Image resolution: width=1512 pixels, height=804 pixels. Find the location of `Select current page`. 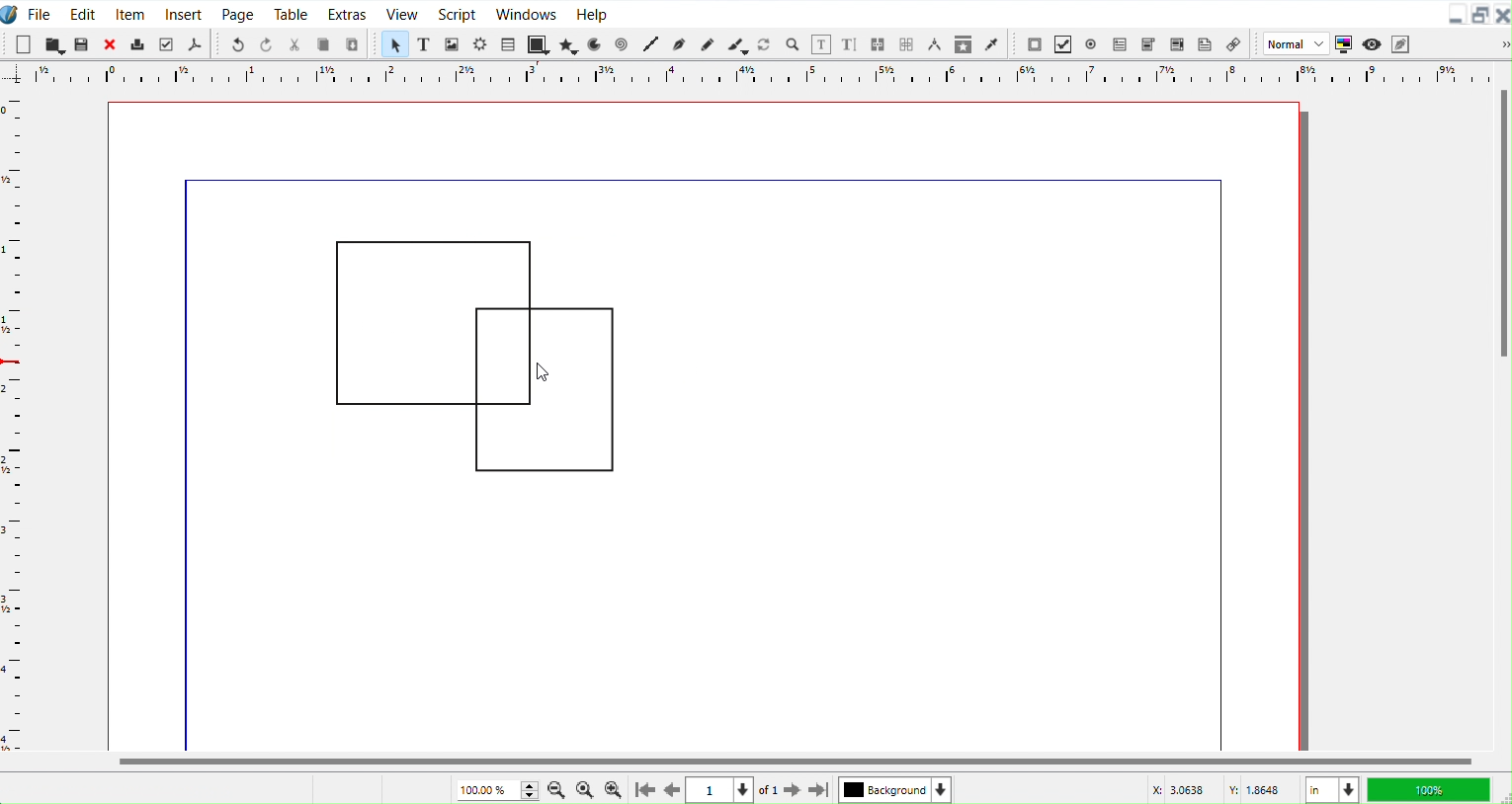

Select current page is located at coordinates (721, 790).